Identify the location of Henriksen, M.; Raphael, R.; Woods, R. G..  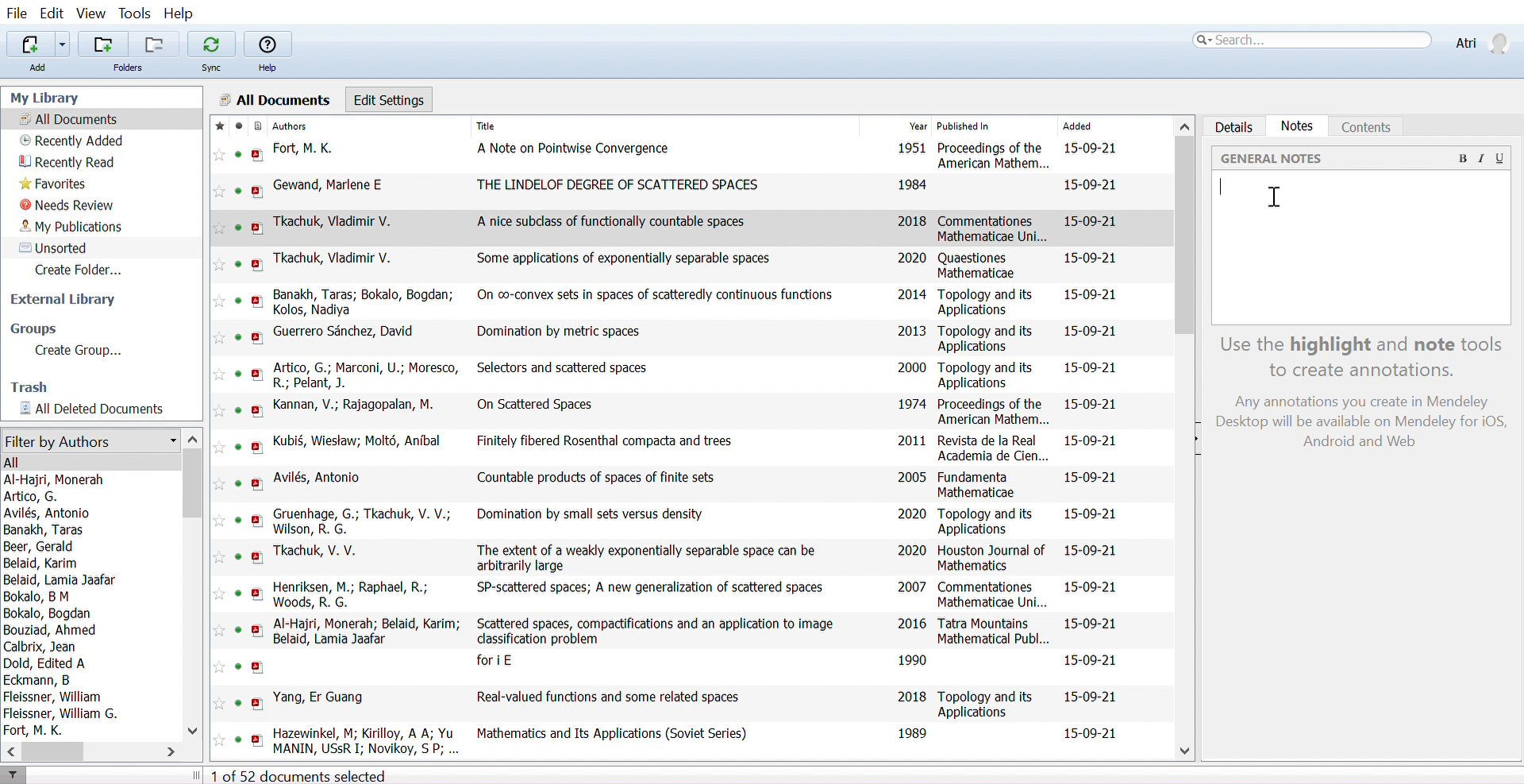
(365, 595).